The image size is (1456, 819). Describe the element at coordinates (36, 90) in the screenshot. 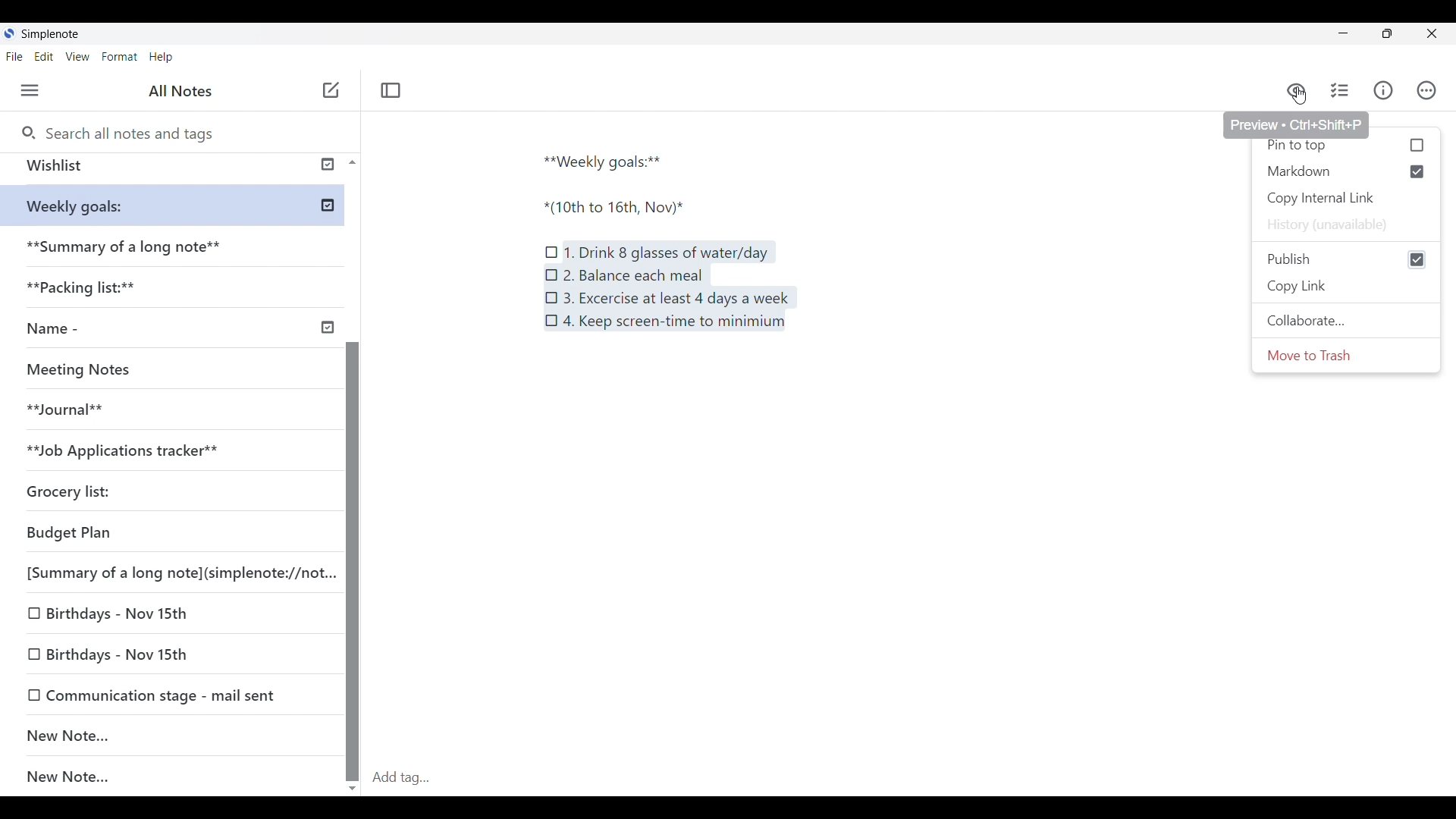

I see `Menu • ctrl + shift + u` at that location.